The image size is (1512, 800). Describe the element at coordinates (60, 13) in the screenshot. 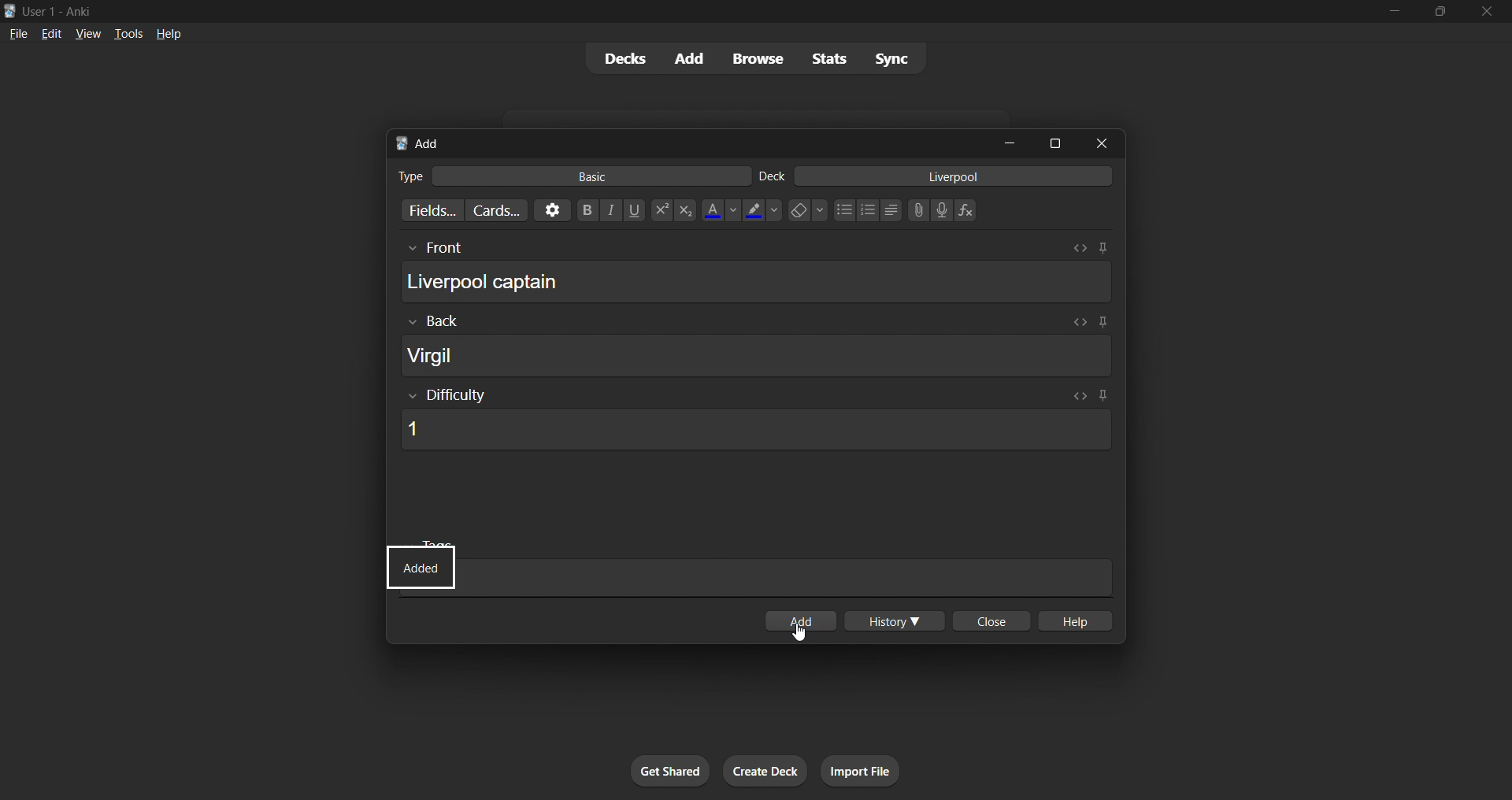

I see `Text` at that location.